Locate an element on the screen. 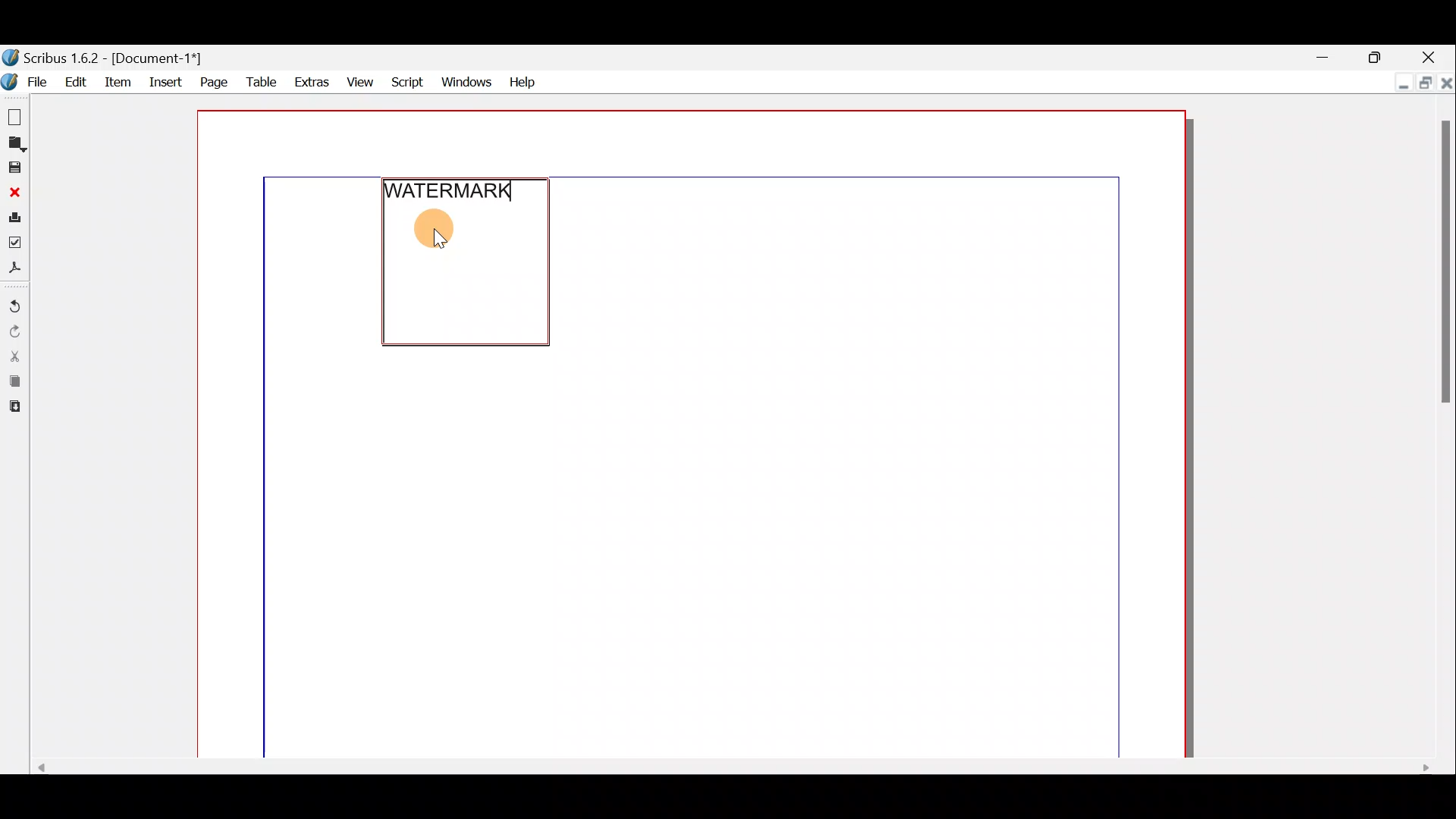 The height and width of the screenshot is (819, 1456). Script is located at coordinates (409, 80).